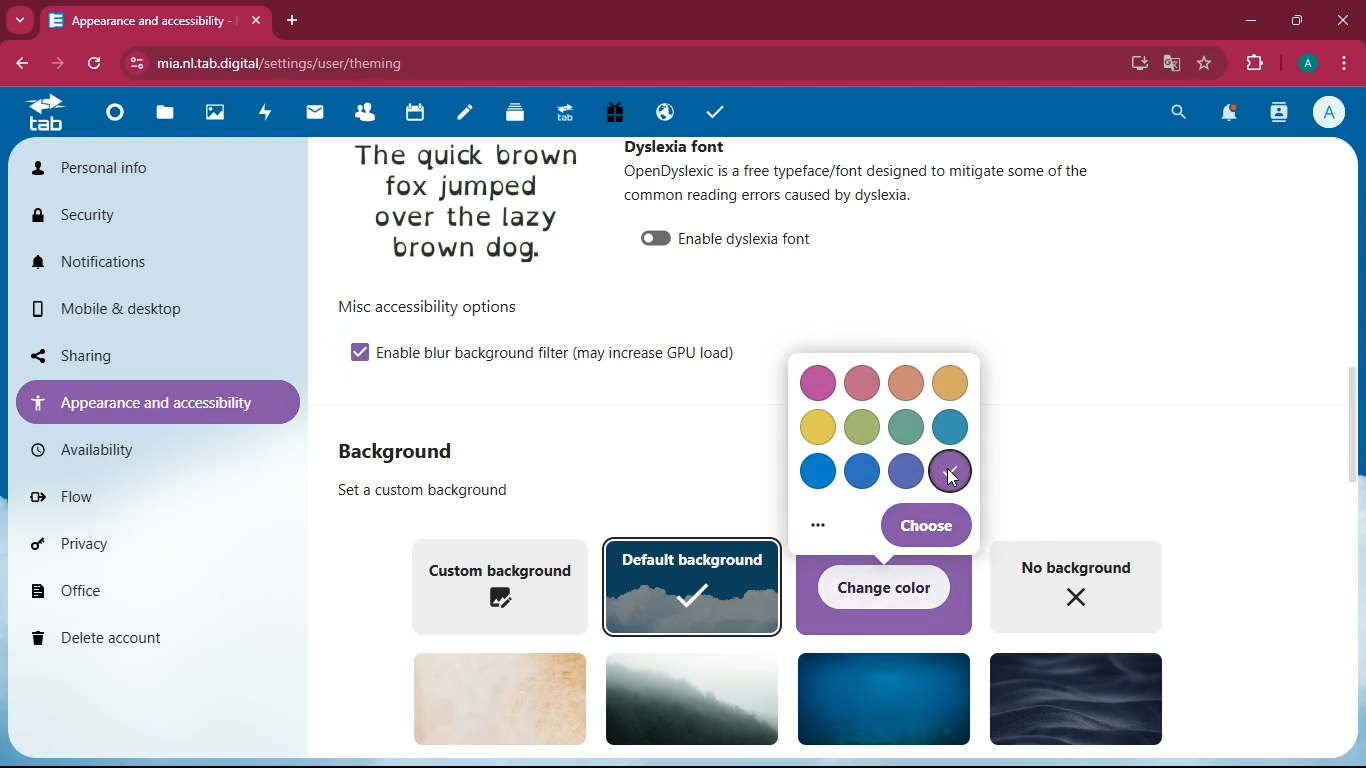 The image size is (1366, 768). Describe the element at coordinates (823, 529) in the screenshot. I see `more` at that location.